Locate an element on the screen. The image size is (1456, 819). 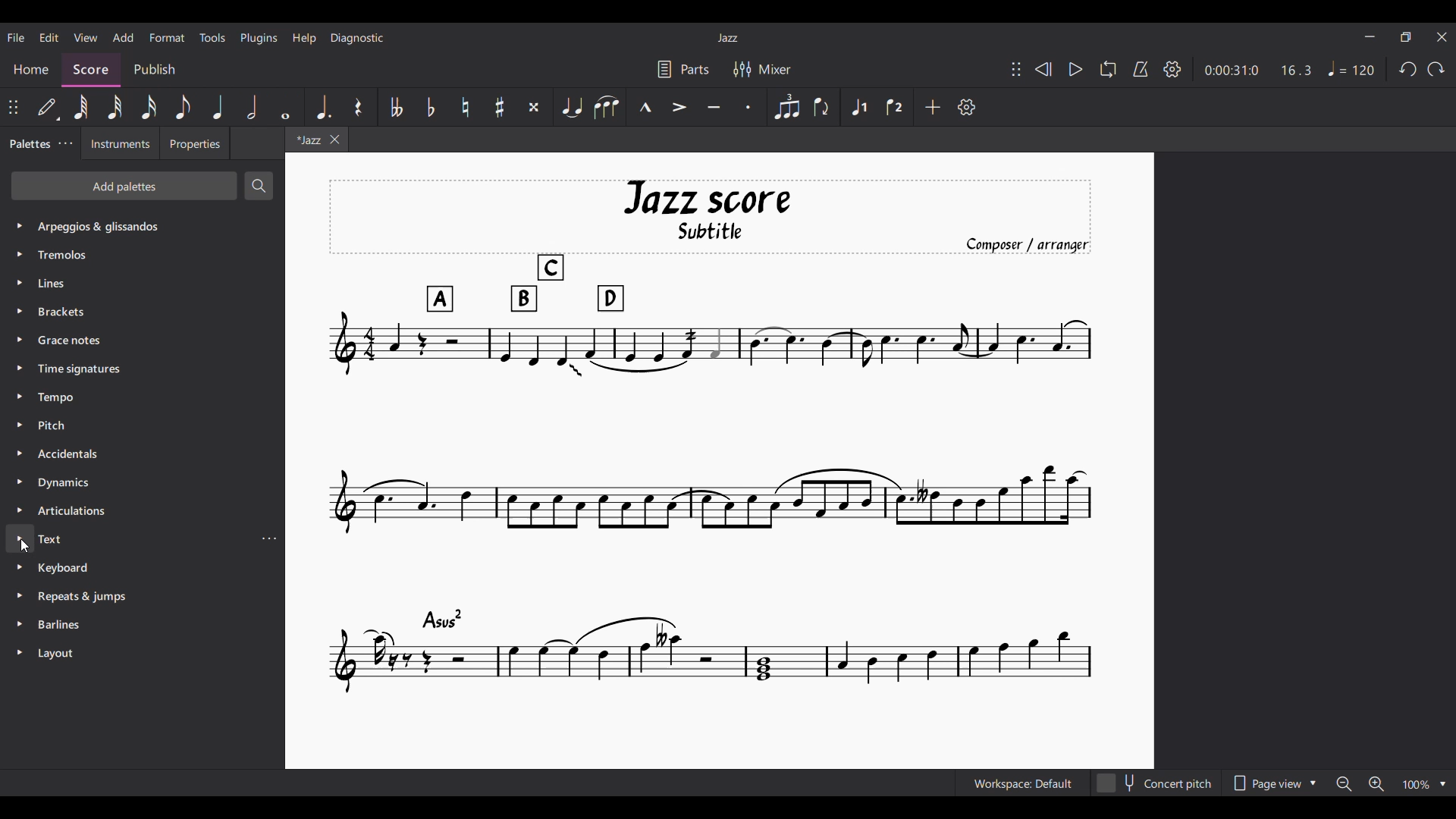
Rest is located at coordinates (358, 106).